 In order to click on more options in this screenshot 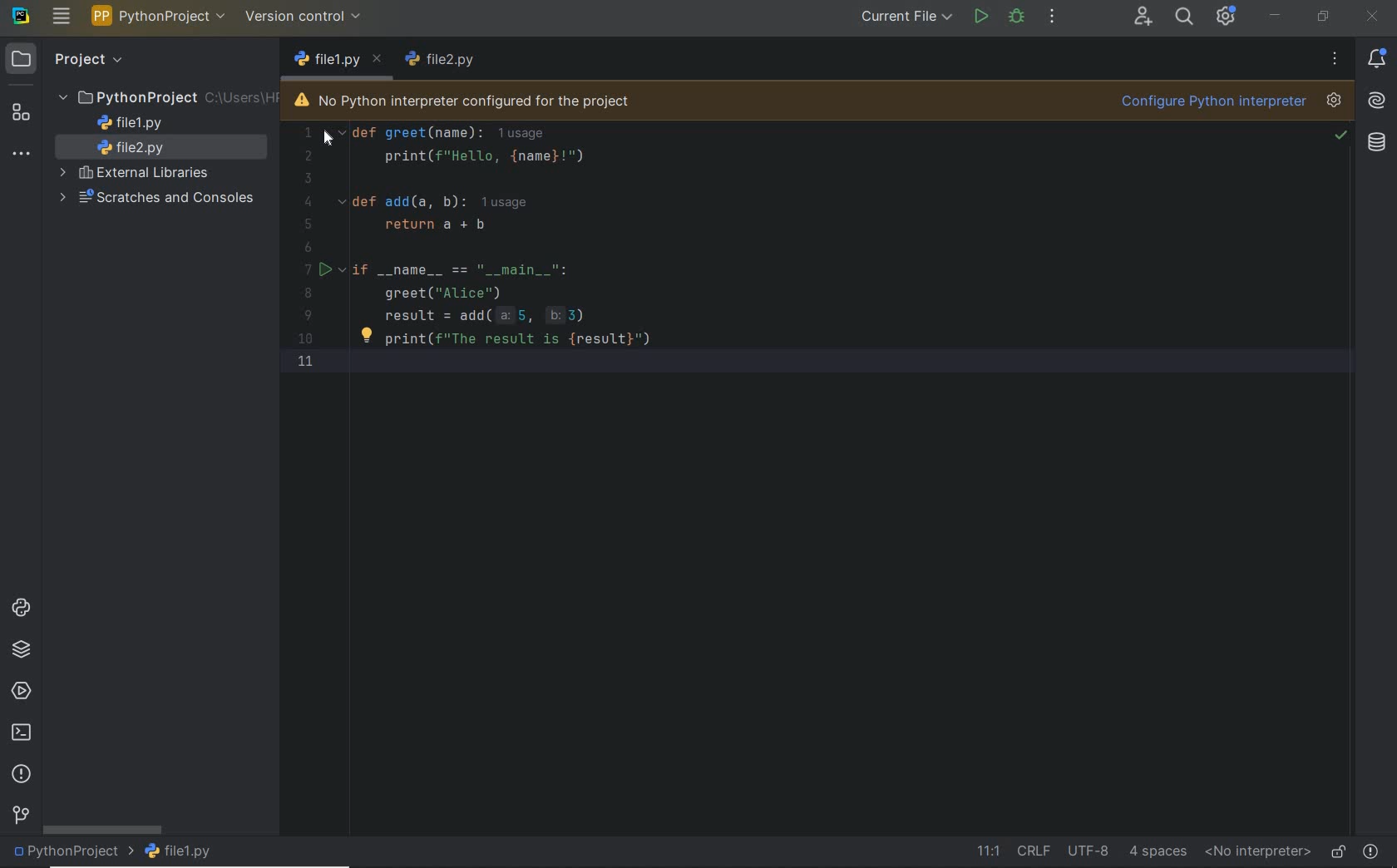, I will do `click(1333, 58)`.